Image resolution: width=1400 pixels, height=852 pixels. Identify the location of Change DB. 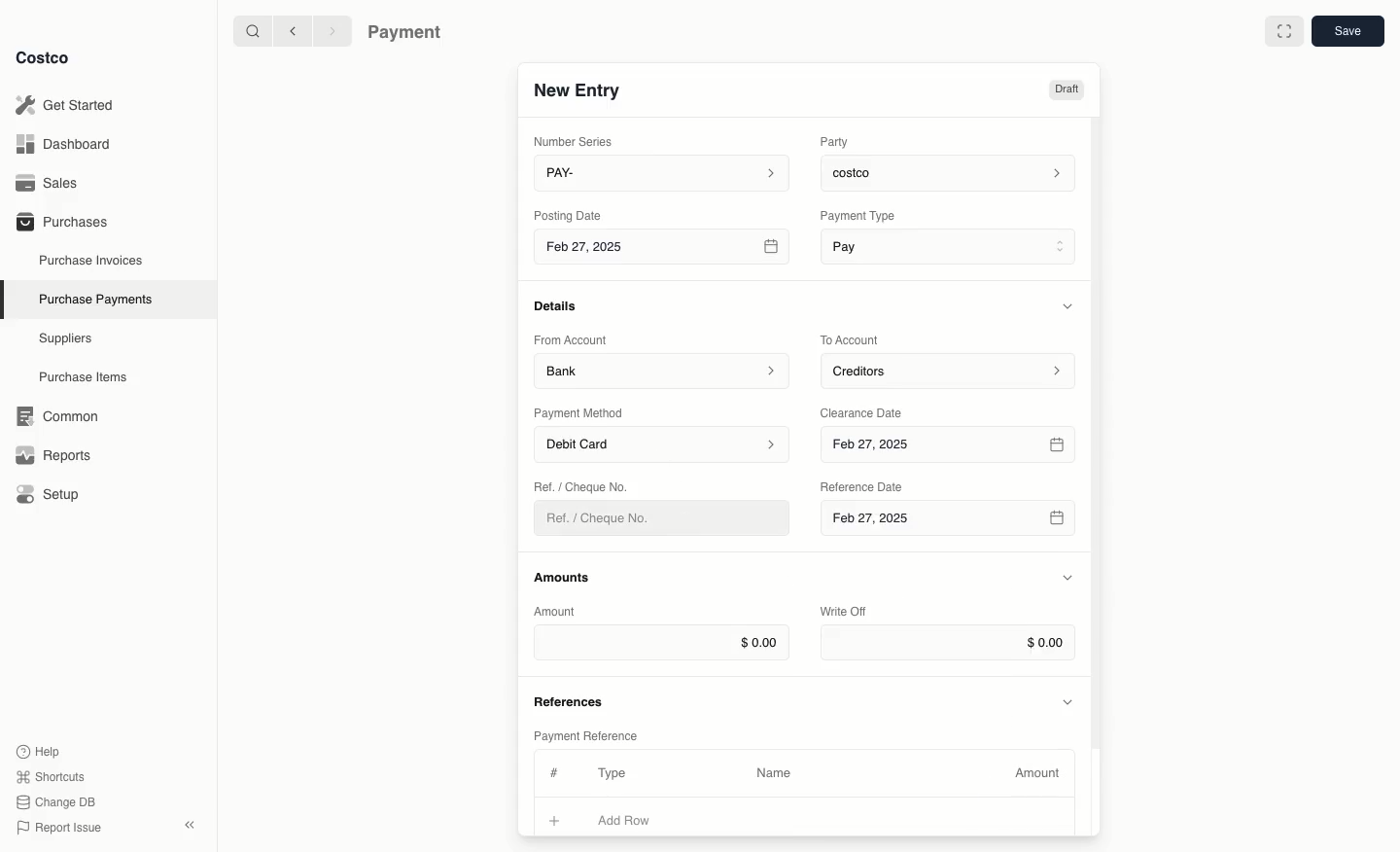
(59, 802).